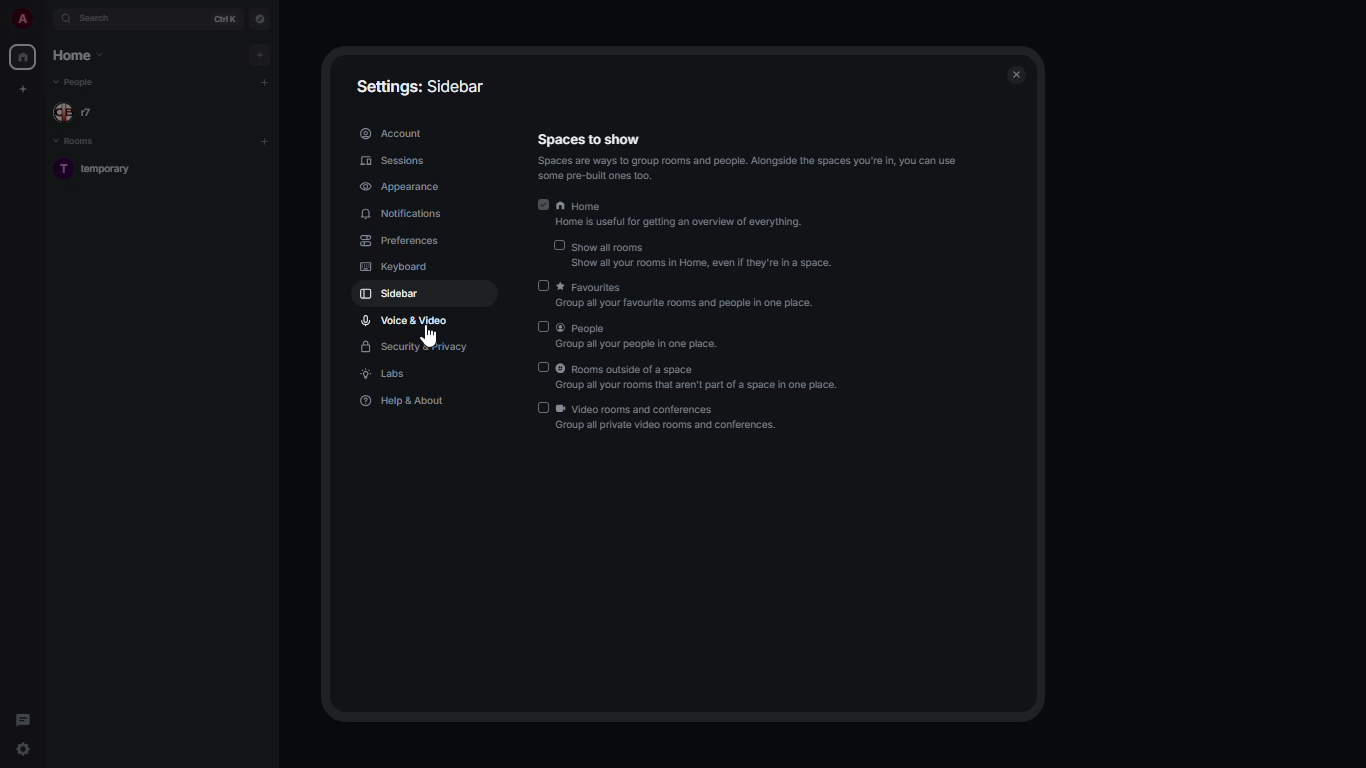 This screenshot has height=768, width=1366. Describe the element at coordinates (407, 214) in the screenshot. I see `notifications` at that location.